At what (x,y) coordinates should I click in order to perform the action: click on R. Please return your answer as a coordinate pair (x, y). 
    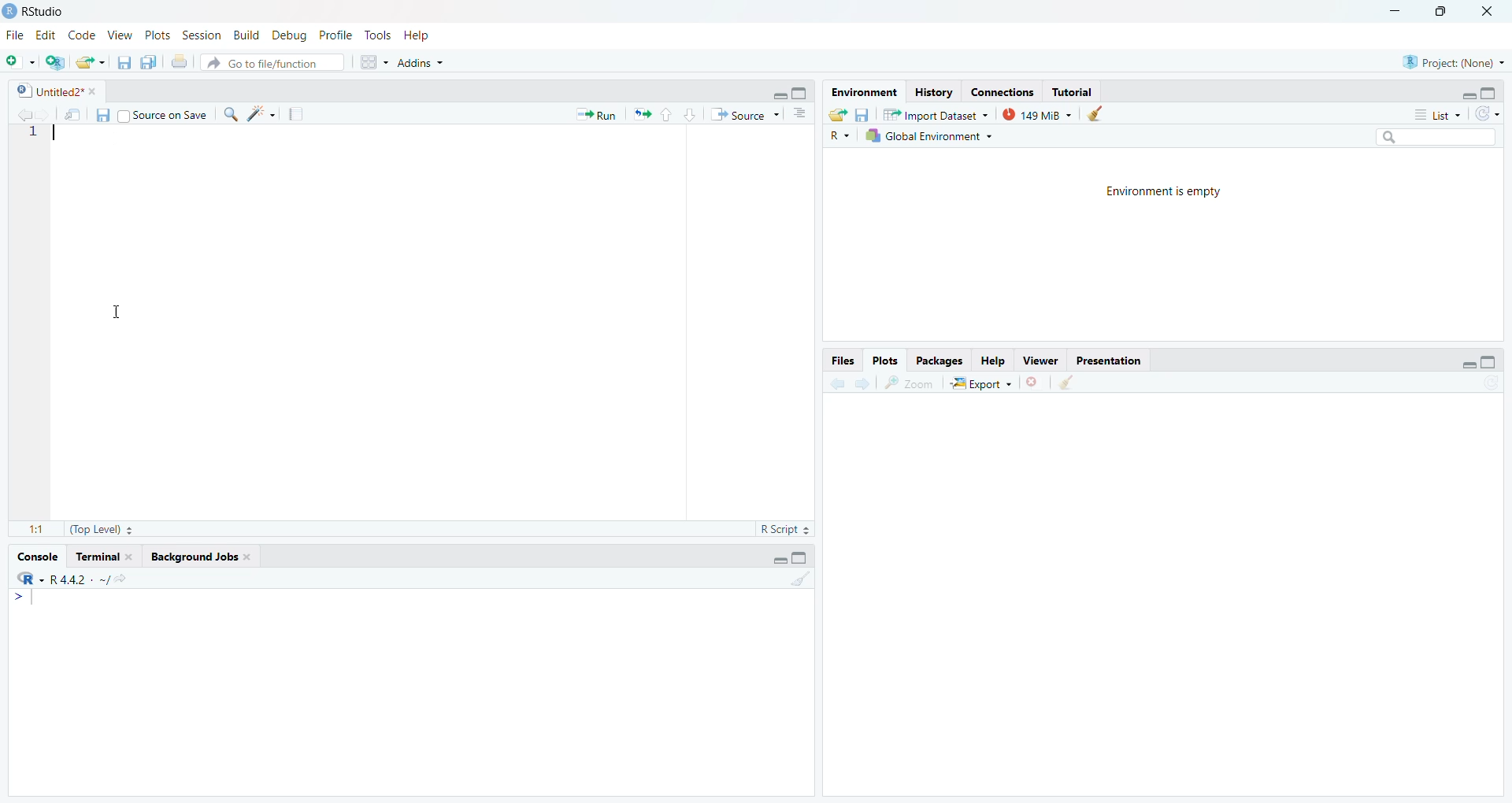
    Looking at the image, I should click on (27, 579).